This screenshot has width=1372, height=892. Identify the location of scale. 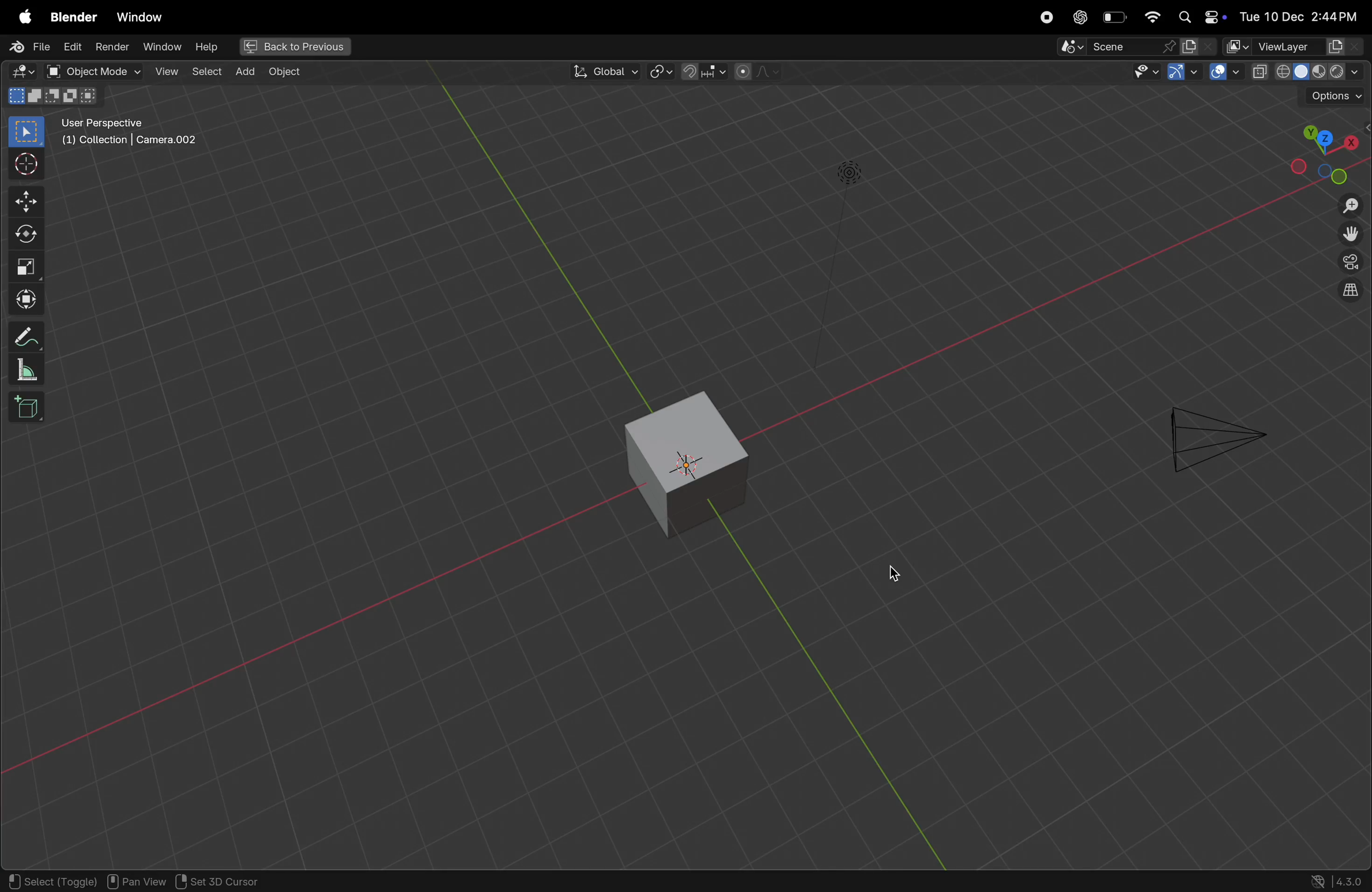
(24, 266).